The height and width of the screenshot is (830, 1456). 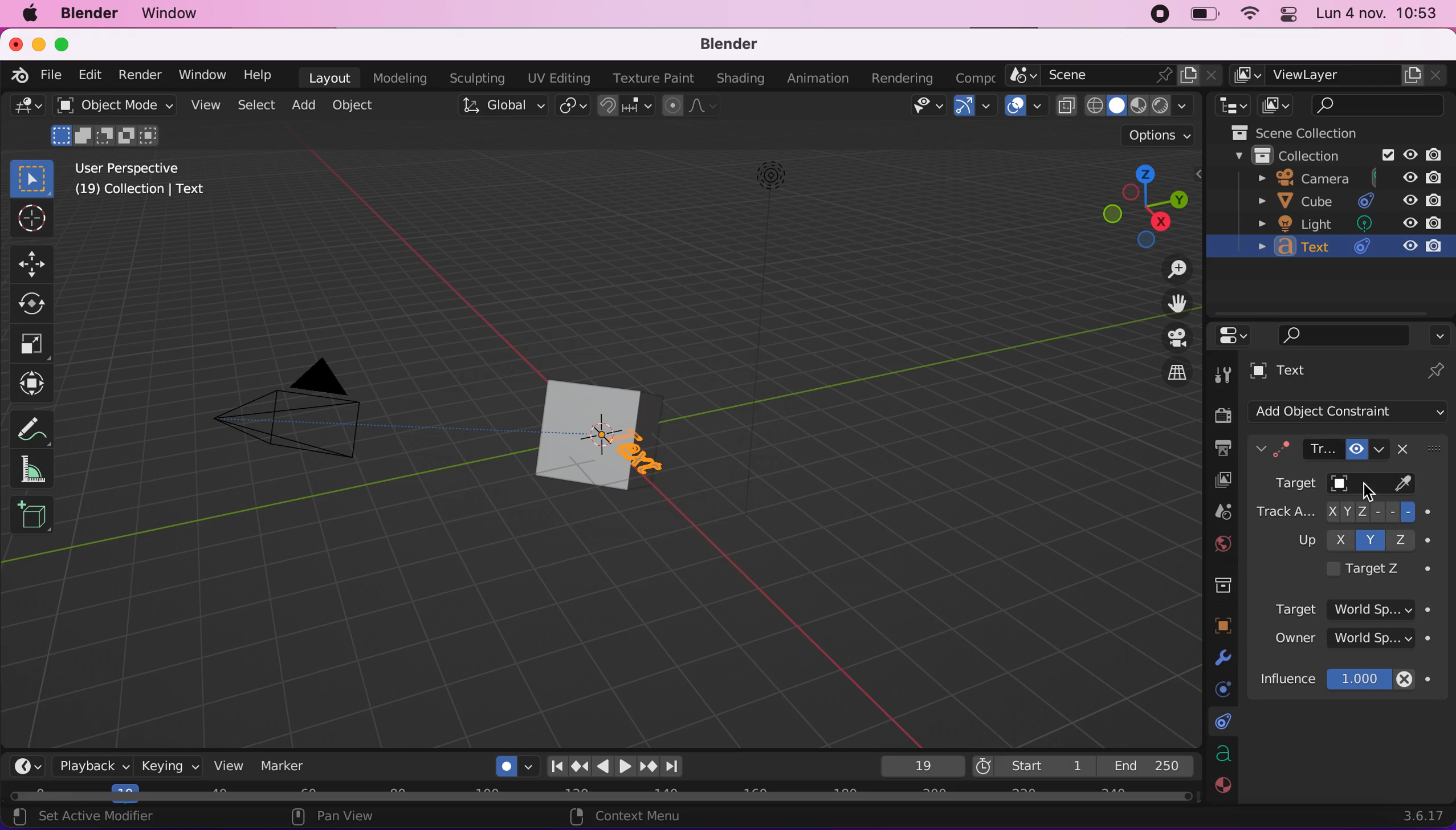 I want to click on scene, so click(x=1115, y=76).